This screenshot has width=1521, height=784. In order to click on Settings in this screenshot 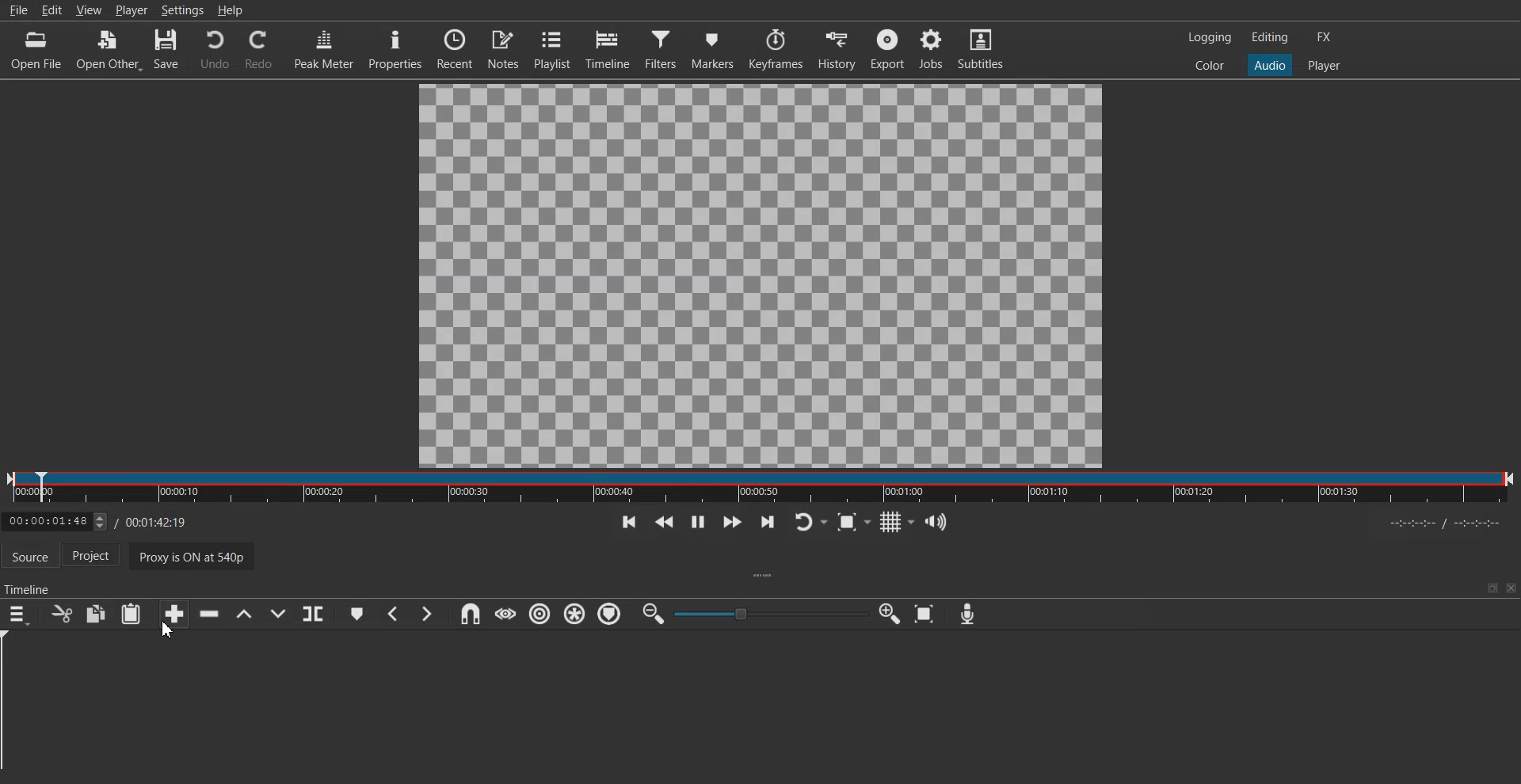, I will do `click(183, 10)`.